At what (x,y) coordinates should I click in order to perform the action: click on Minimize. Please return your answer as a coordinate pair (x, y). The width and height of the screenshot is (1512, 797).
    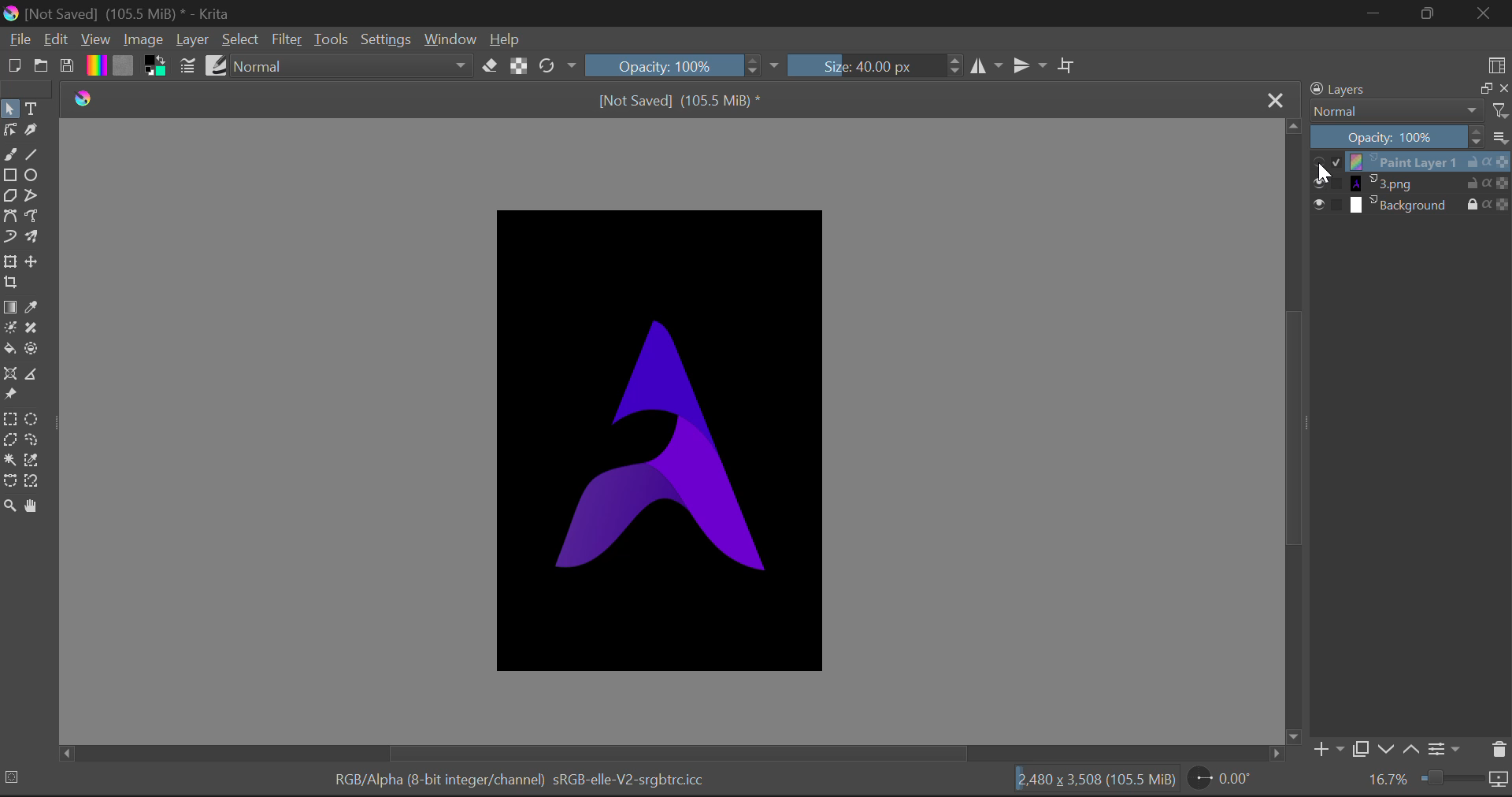
    Looking at the image, I should click on (1375, 13).